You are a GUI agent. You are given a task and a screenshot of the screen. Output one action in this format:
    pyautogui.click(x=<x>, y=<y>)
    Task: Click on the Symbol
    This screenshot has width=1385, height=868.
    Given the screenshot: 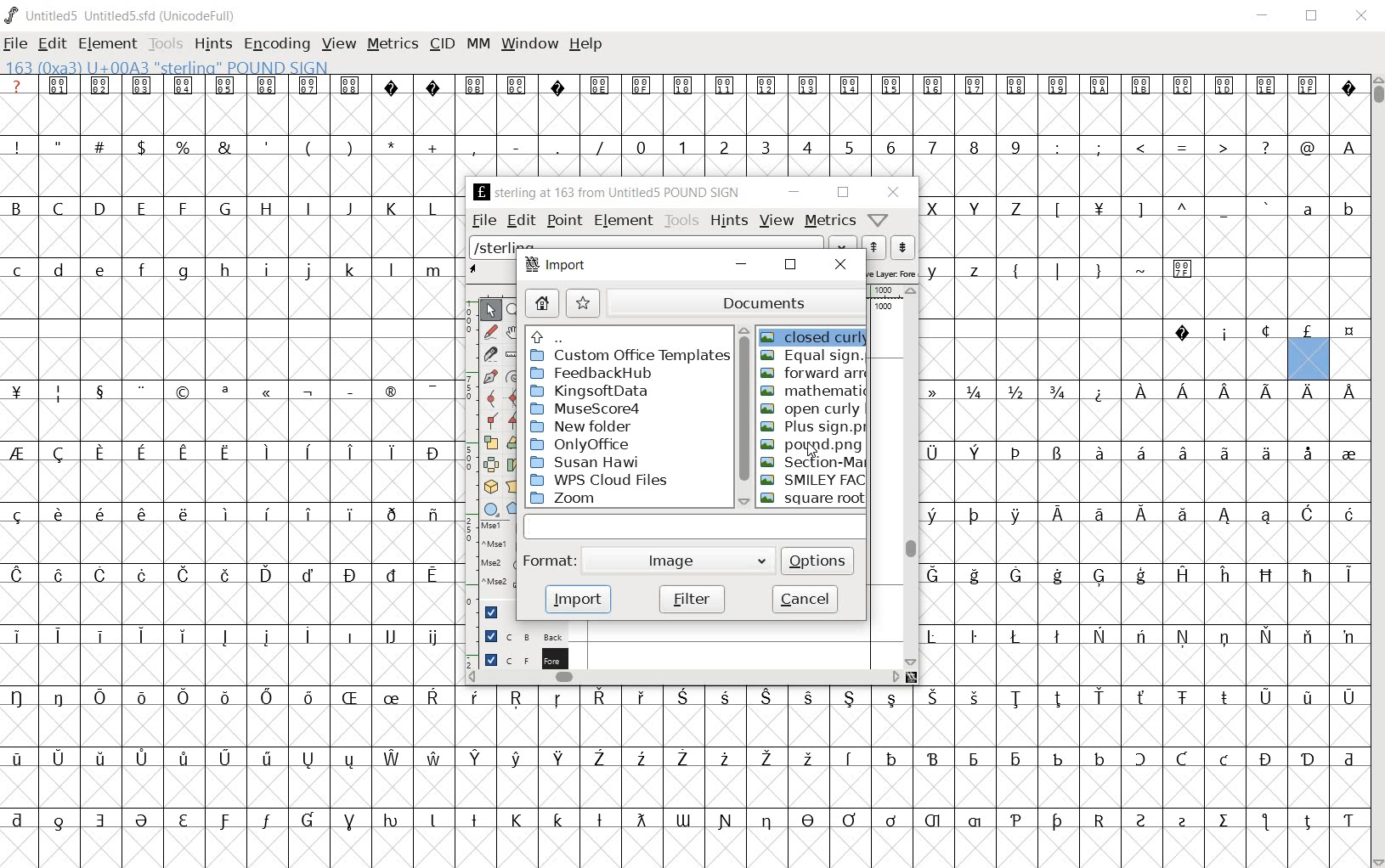 What is the action you would take?
    pyautogui.click(x=1308, y=637)
    